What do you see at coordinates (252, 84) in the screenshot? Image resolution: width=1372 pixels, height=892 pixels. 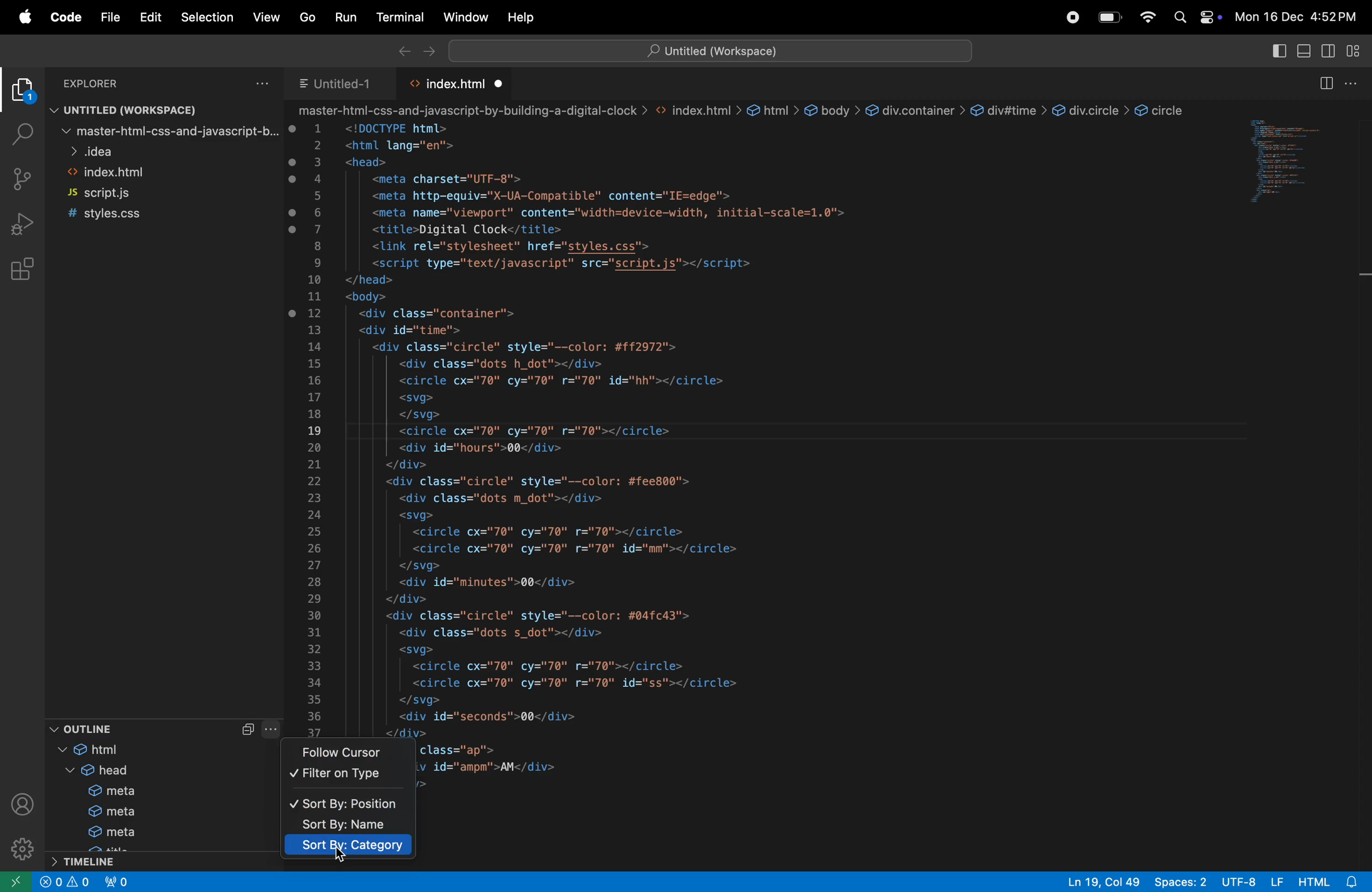 I see `options` at bounding box center [252, 84].